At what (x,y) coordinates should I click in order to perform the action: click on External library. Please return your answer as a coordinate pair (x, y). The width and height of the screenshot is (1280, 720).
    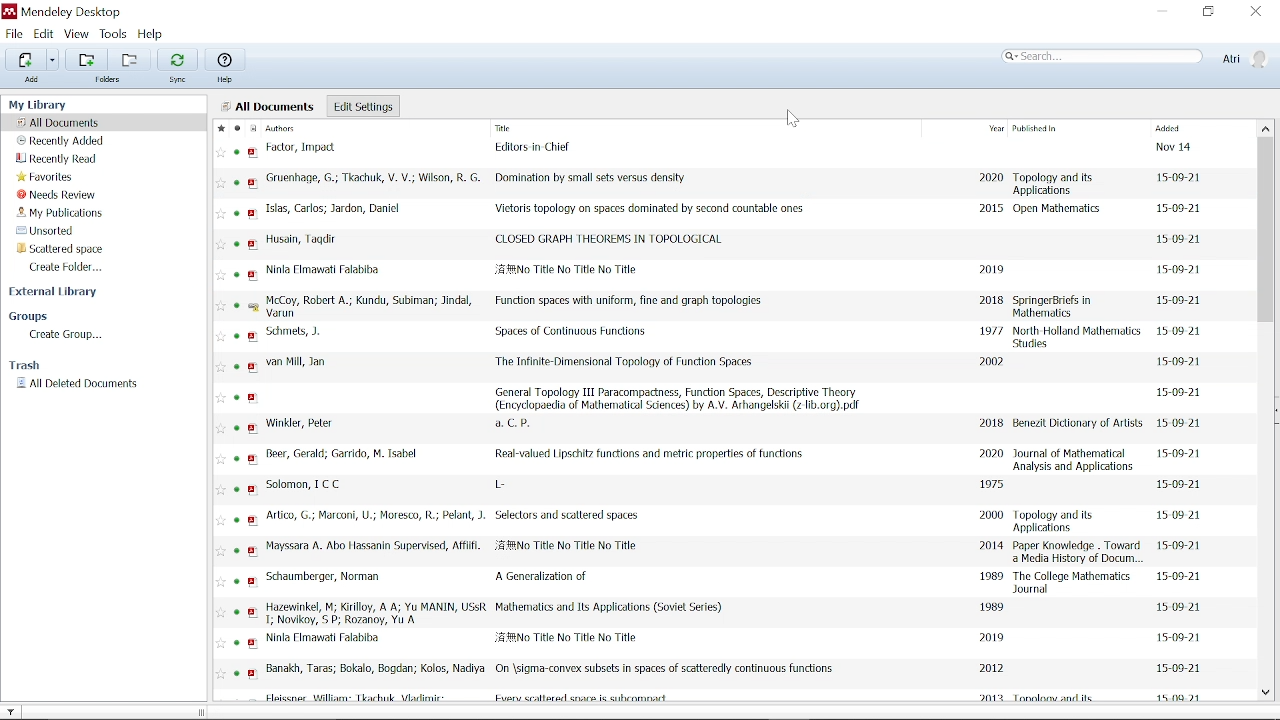
    Looking at the image, I should click on (56, 295).